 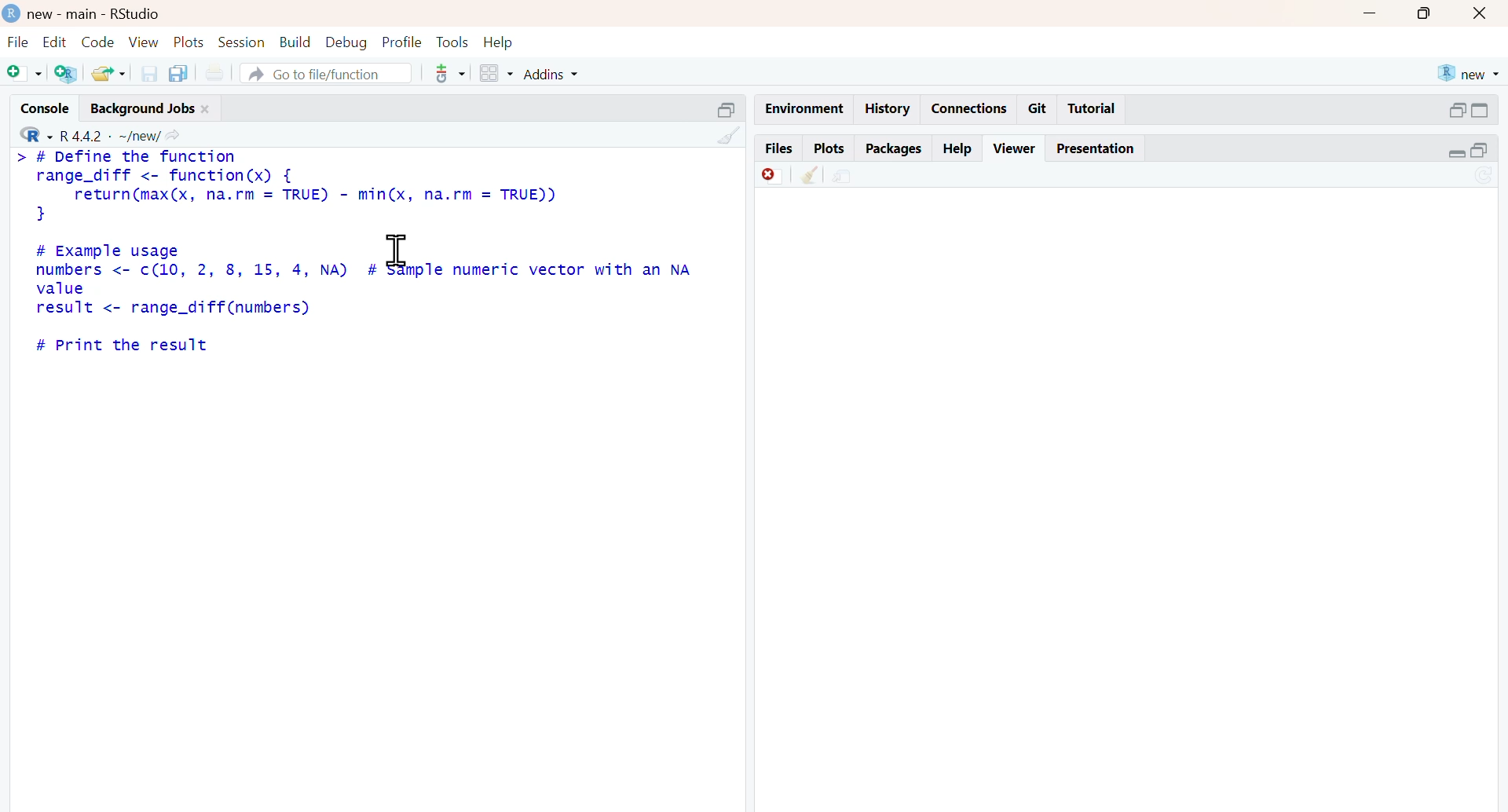 I want to click on code, so click(x=99, y=42).